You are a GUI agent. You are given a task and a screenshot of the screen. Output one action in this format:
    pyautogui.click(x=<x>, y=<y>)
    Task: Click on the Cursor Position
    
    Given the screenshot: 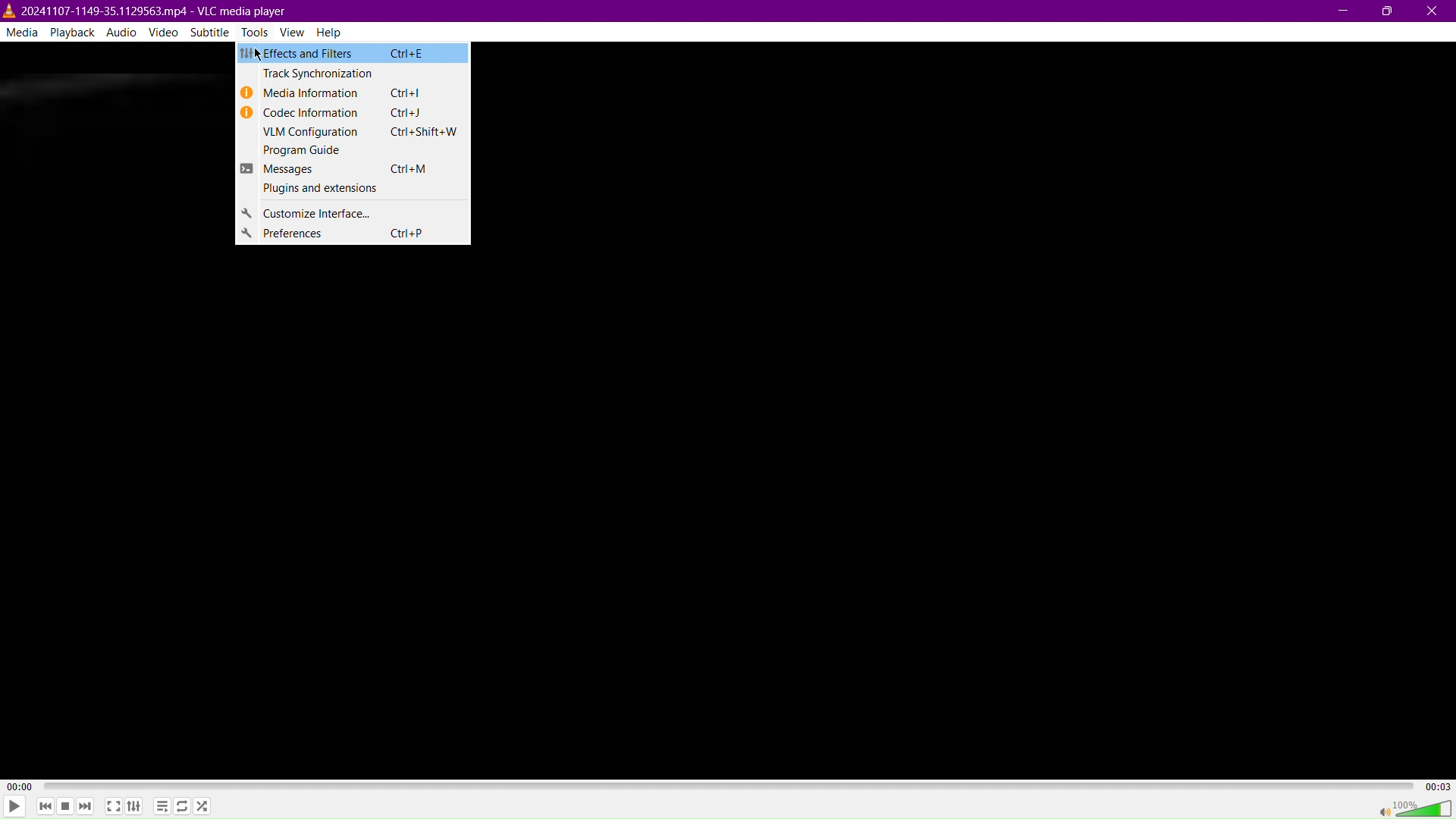 What is the action you would take?
    pyautogui.click(x=259, y=55)
    